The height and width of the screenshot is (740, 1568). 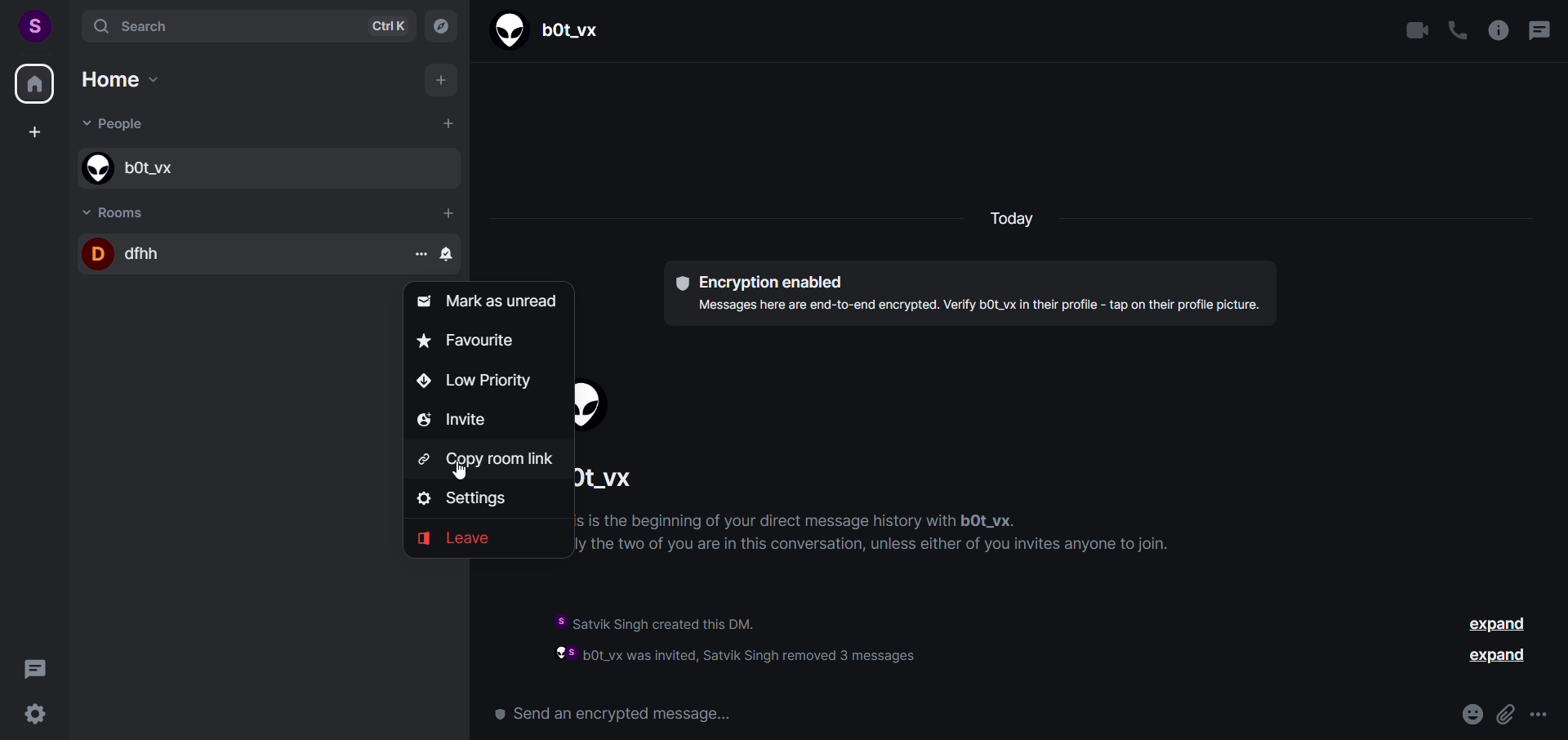 I want to click on add, so click(x=443, y=82).